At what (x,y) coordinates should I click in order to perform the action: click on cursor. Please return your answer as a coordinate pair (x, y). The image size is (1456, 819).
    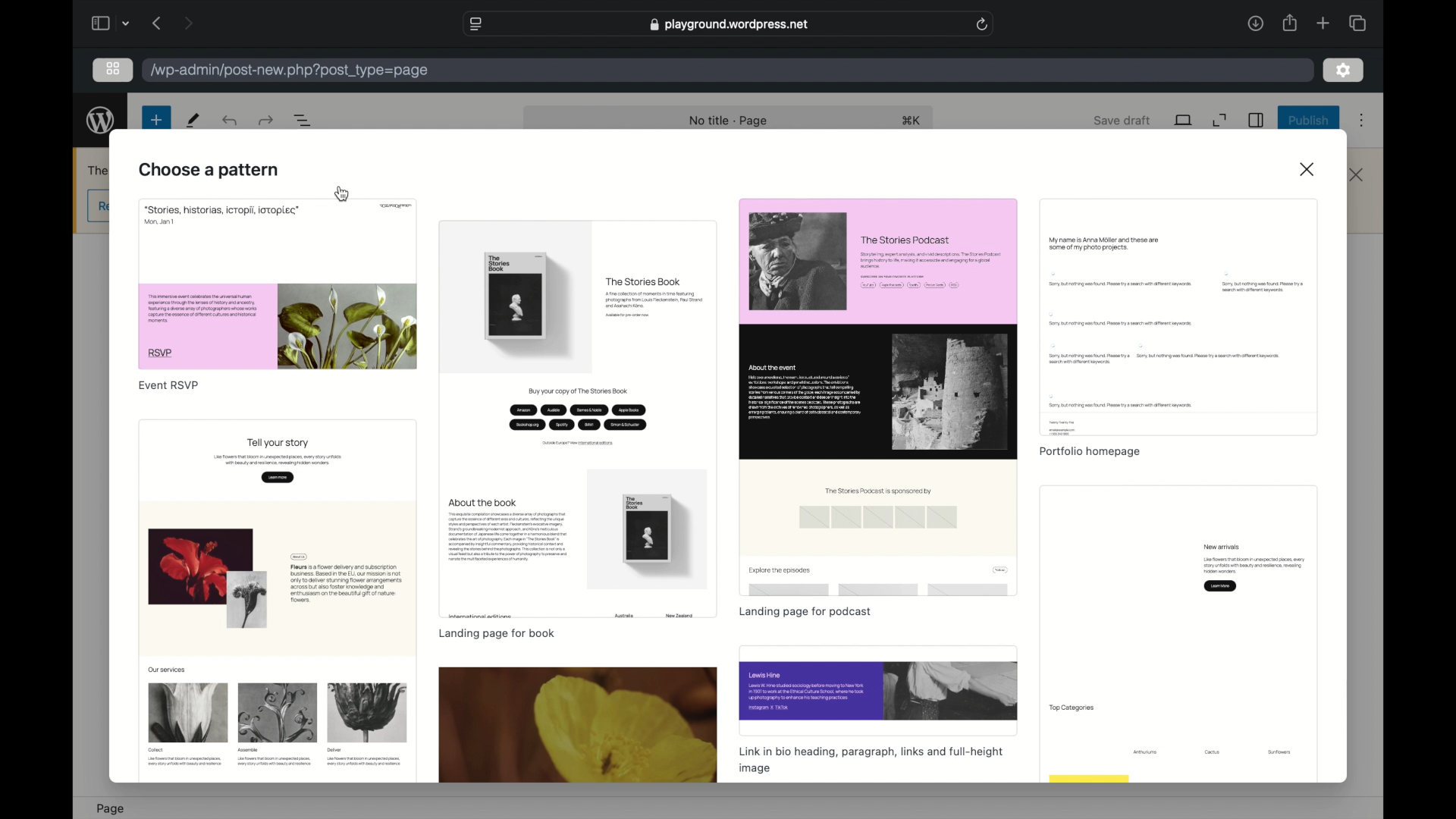
    Looking at the image, I should click on (342, 194).